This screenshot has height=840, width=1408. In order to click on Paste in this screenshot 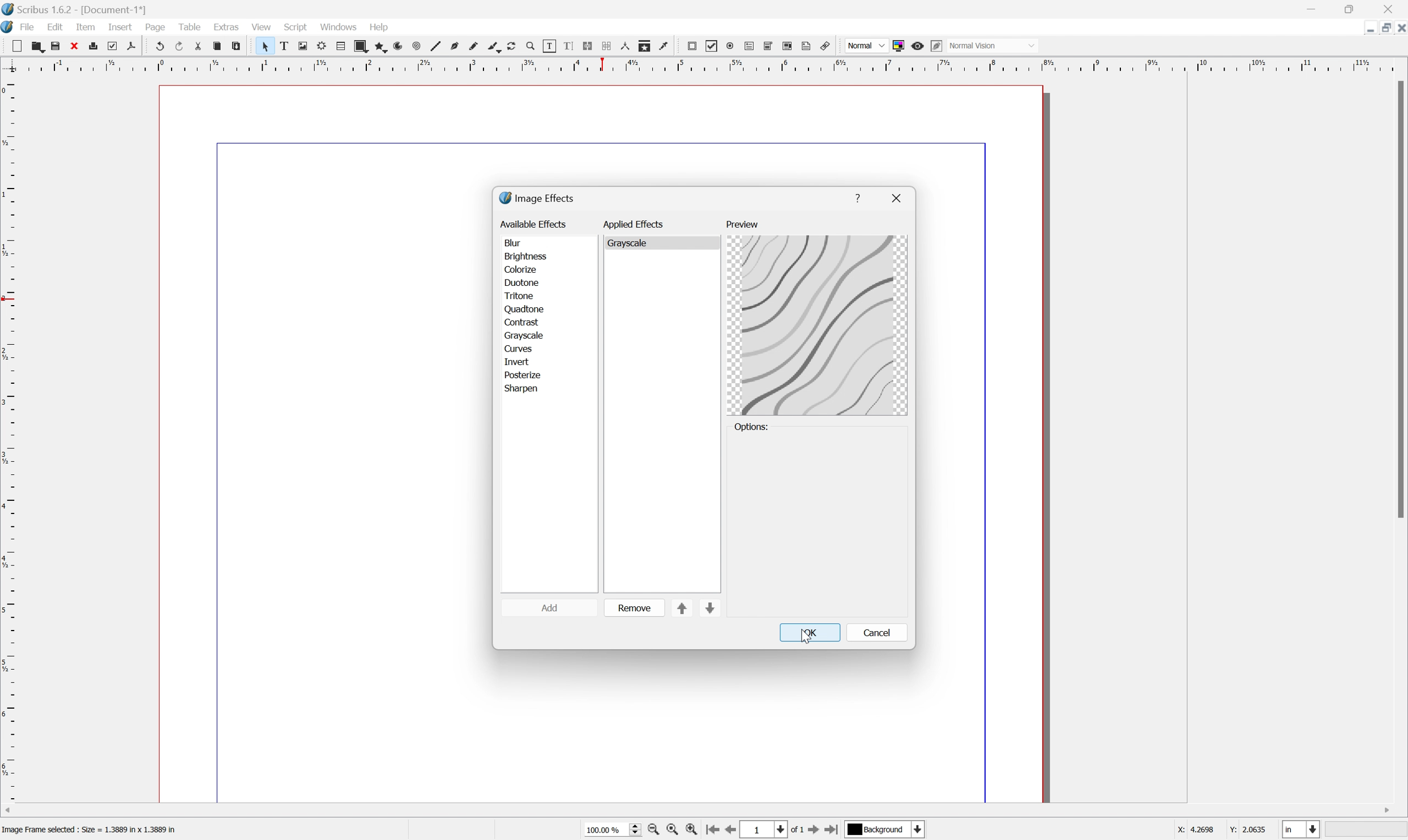, I will do `click(239, 46)`.